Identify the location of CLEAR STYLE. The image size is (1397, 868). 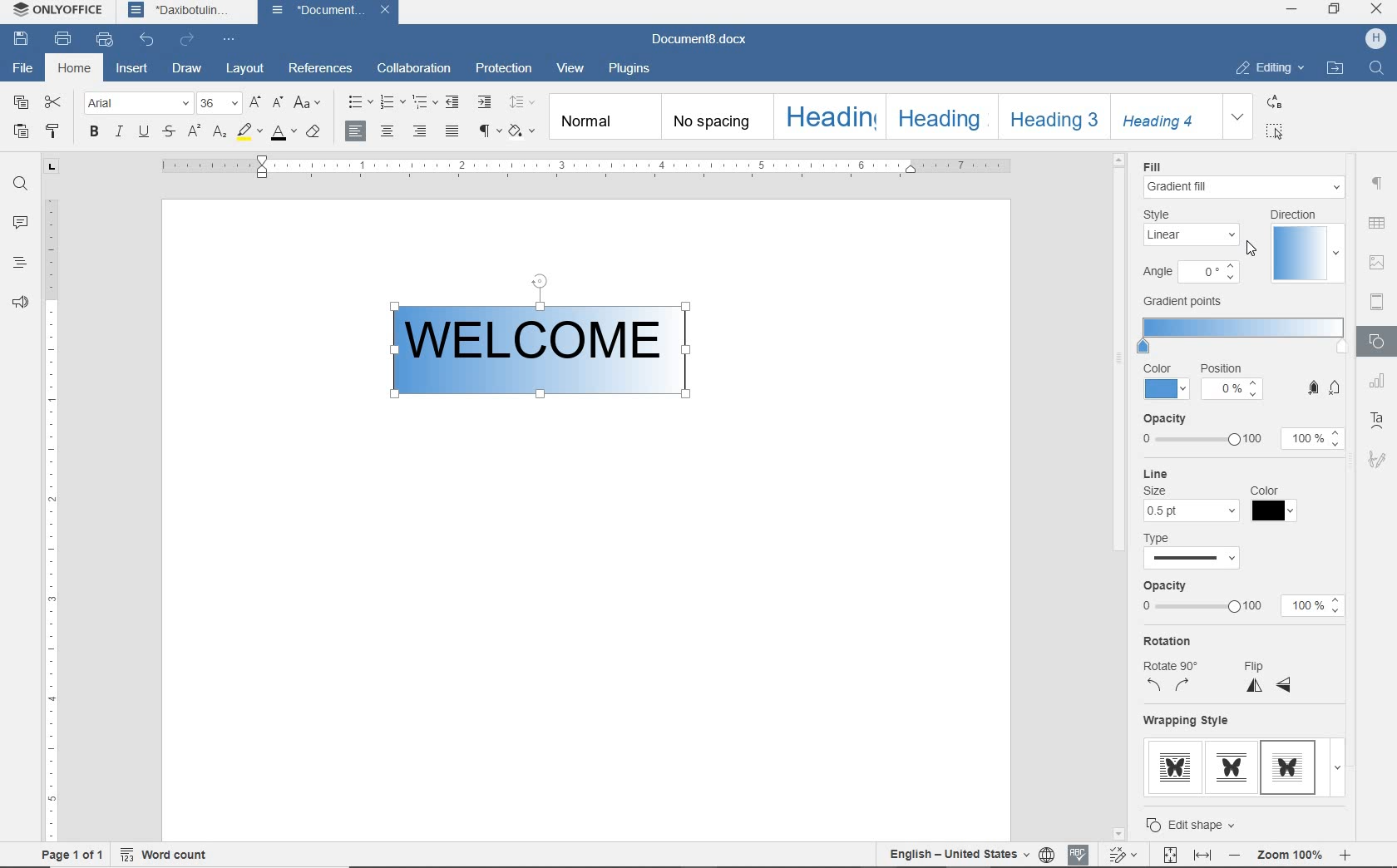
(313, 132).